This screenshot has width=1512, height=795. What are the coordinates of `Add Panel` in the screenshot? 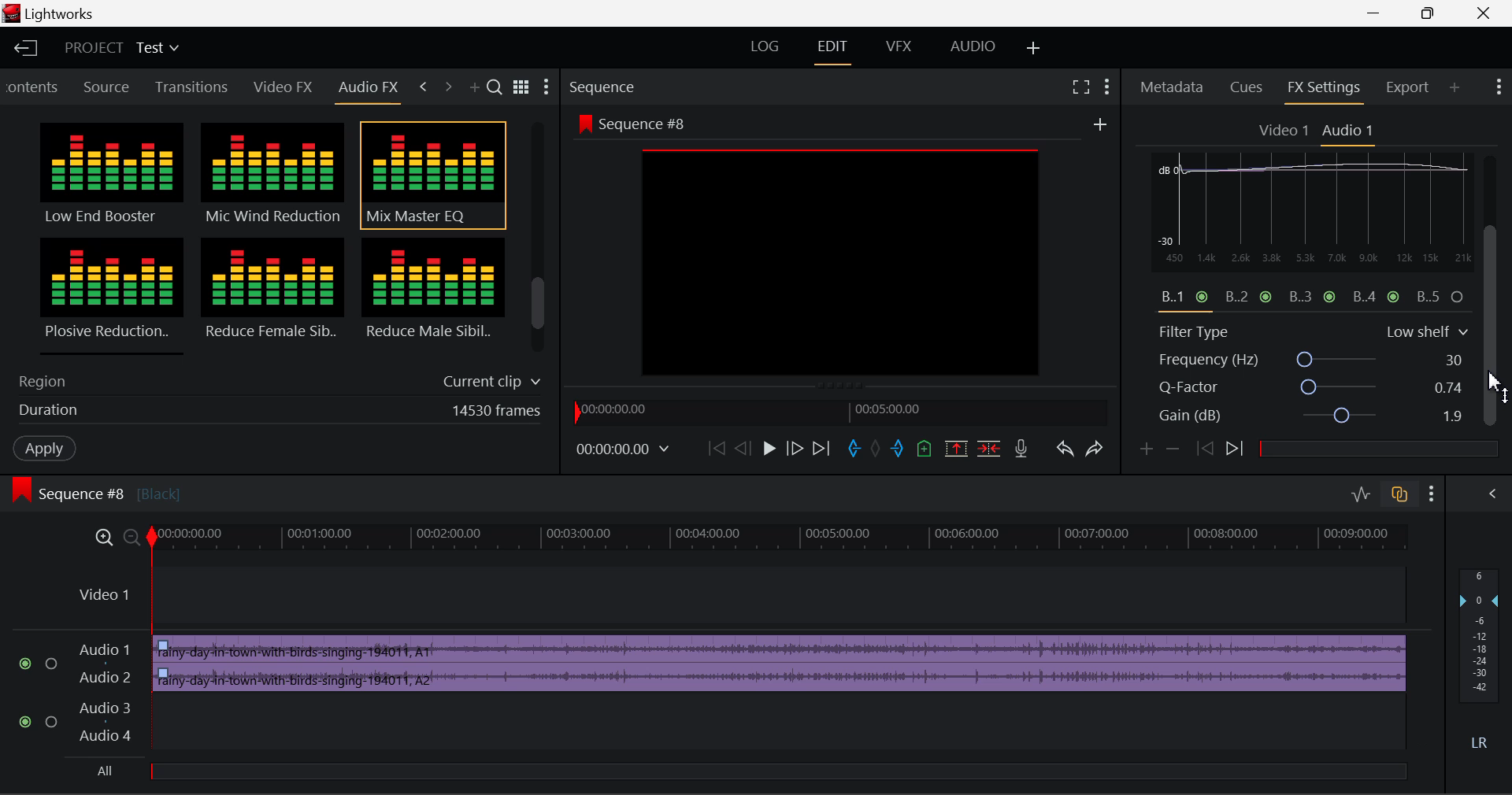 It's located at (476, 89).